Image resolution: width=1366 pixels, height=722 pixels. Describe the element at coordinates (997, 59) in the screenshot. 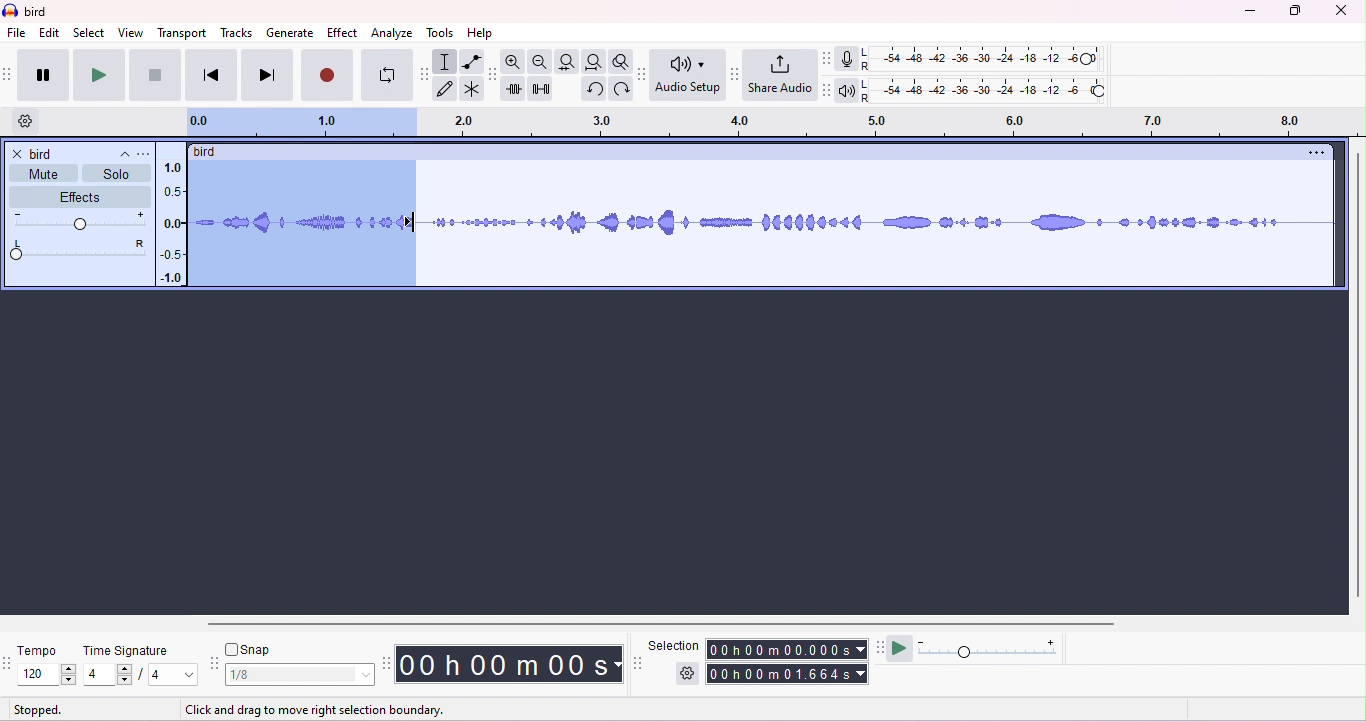

I see `recording level` at that location.